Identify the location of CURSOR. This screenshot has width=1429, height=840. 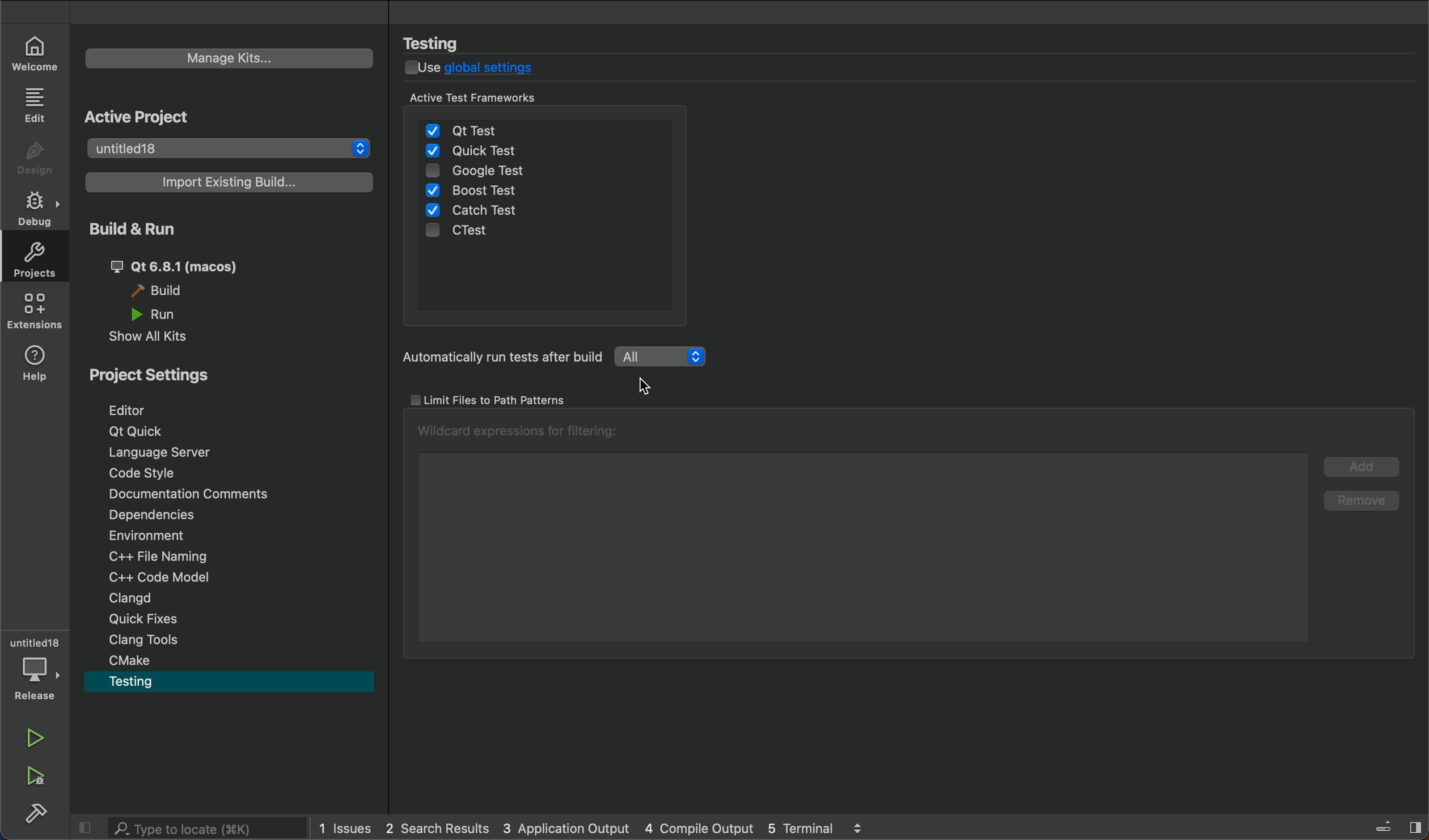
(654, 387).